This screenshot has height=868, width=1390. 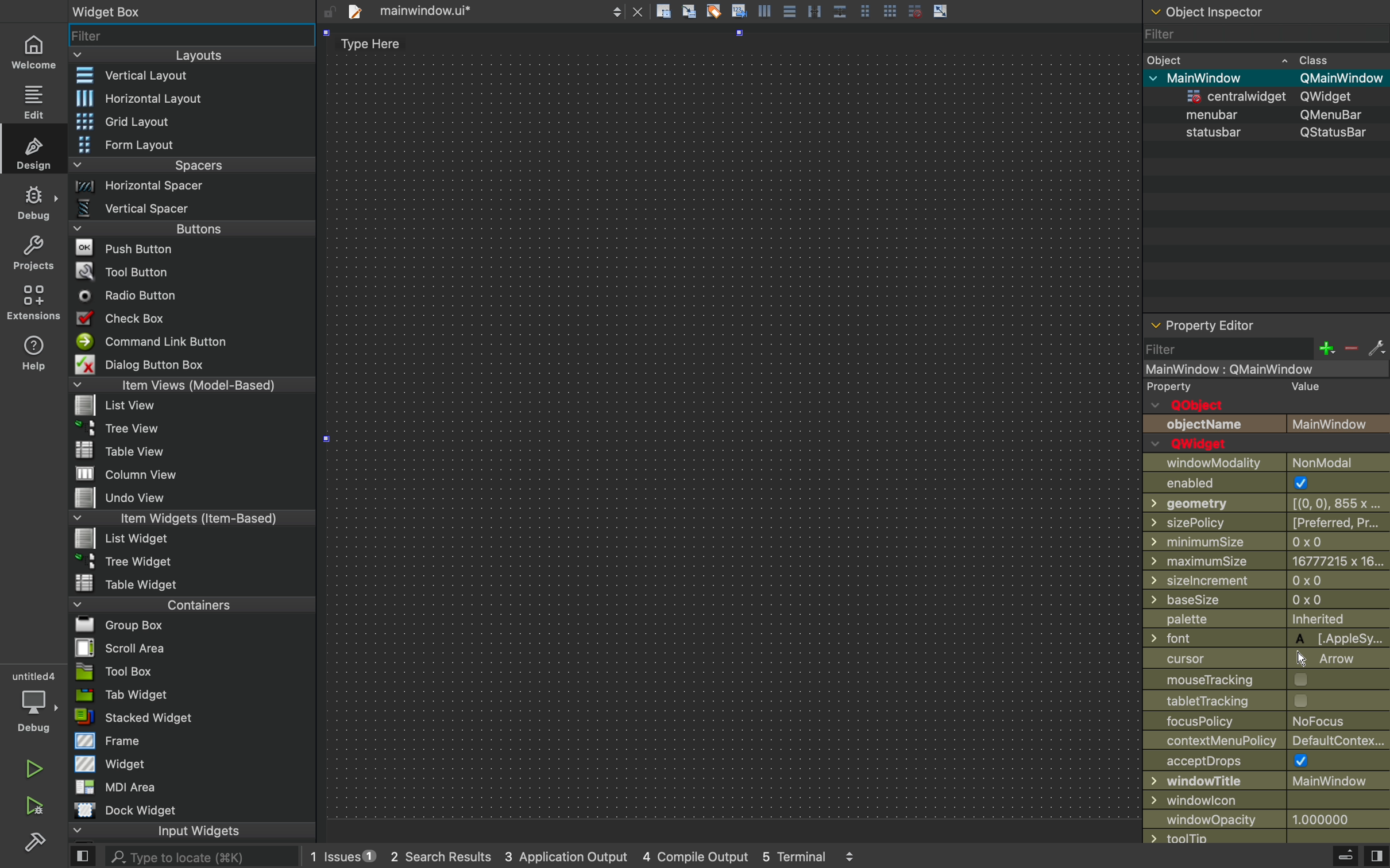 What do you see at coordinates (663, 13) in the screenshot?
I see `file actions` at bounding box center [663, 13].